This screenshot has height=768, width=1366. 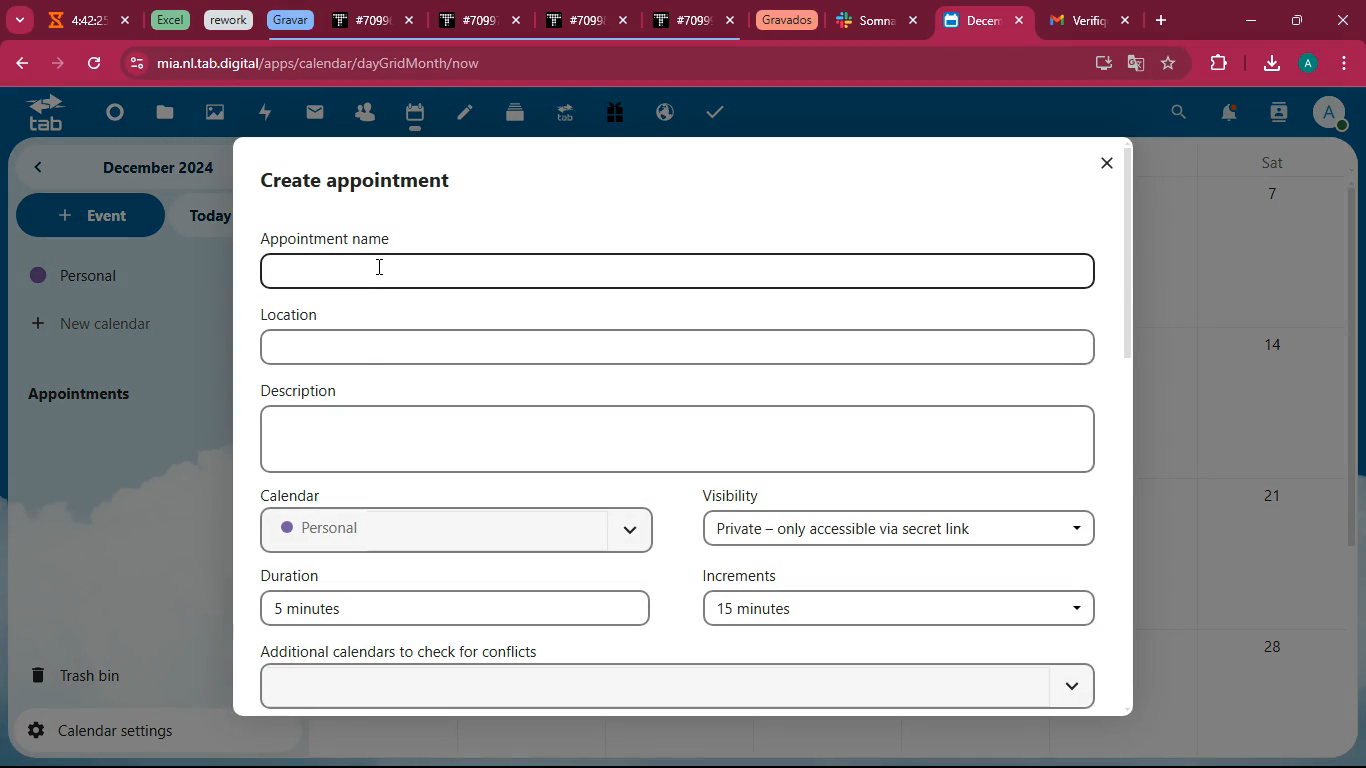 What do you see at coordinates (110, 729) in the screenshot?
I see `calendar settings` at bounding box center [110, 729].